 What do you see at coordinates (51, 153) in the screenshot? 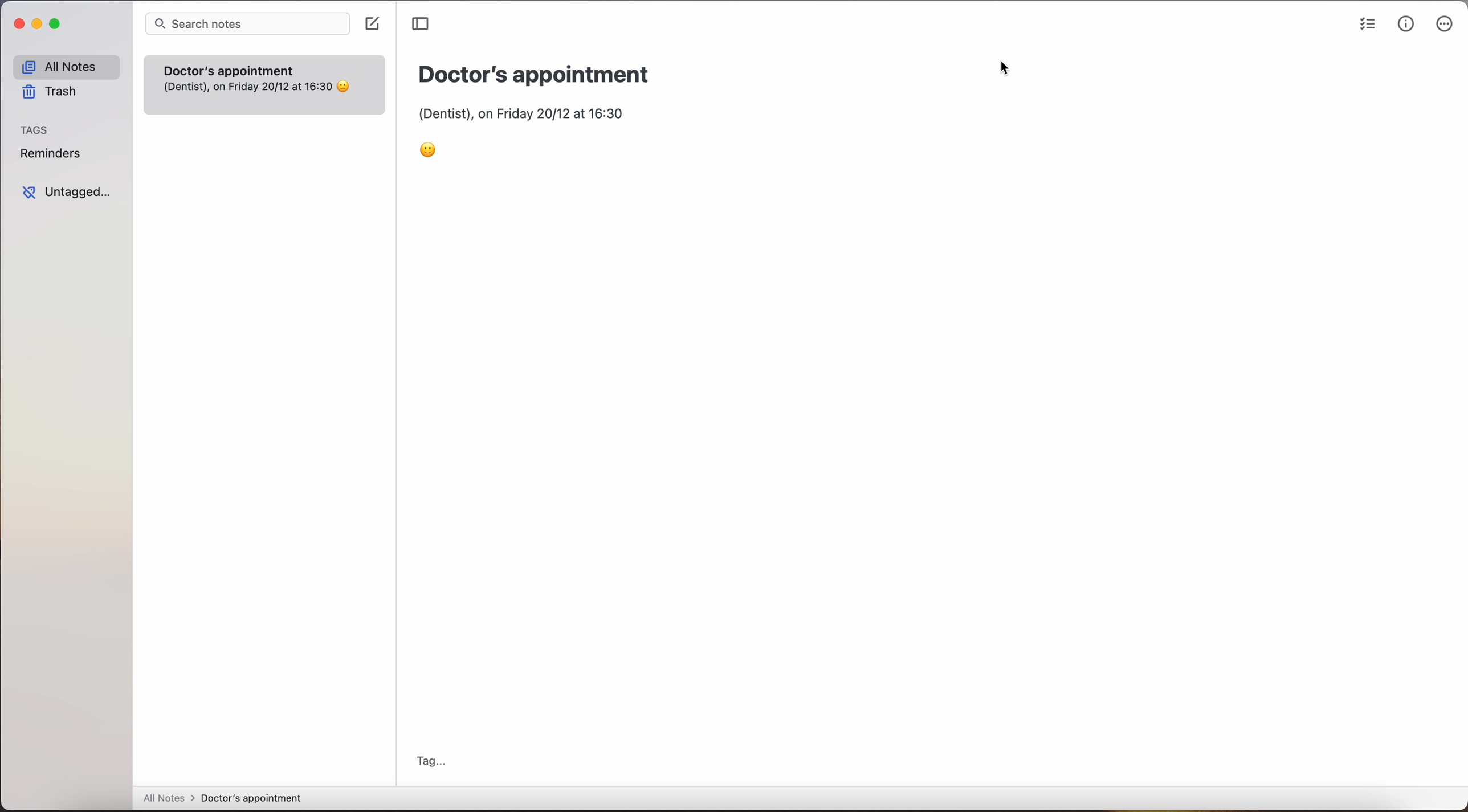
I see `reminders` at bounding box center [51, 153].